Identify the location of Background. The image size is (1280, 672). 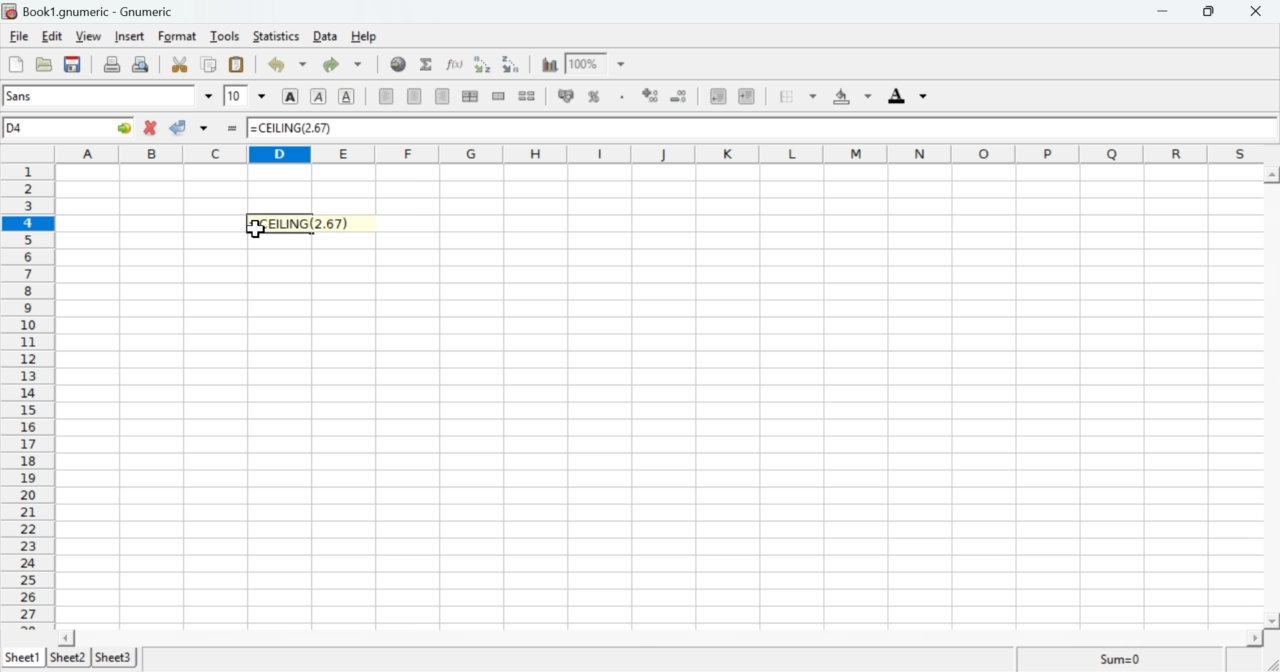
(851, 98).